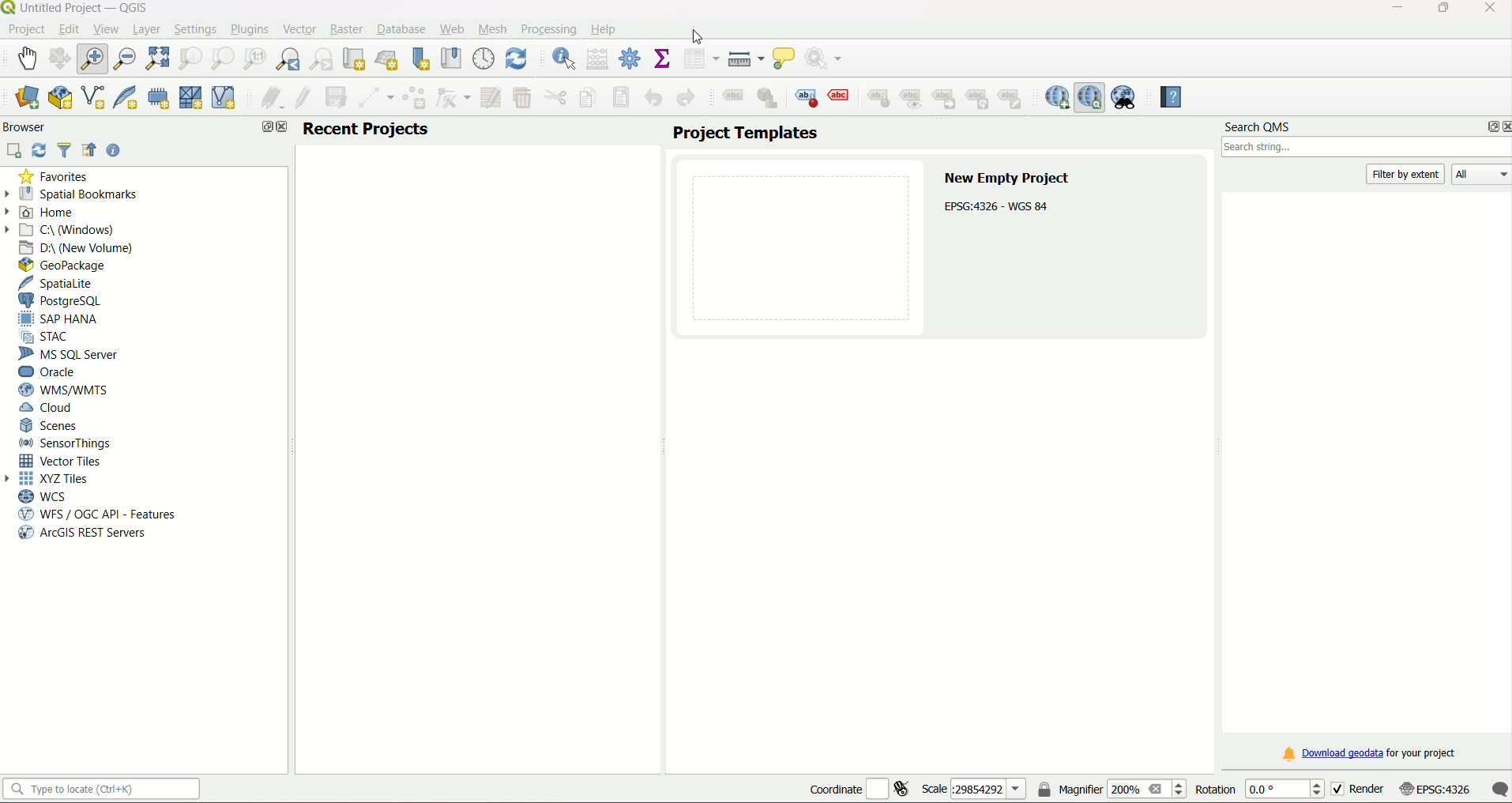 Image resolution: width=1512 pixels, height=803 pixels. I want to click on toggle display, so click(841, 96).